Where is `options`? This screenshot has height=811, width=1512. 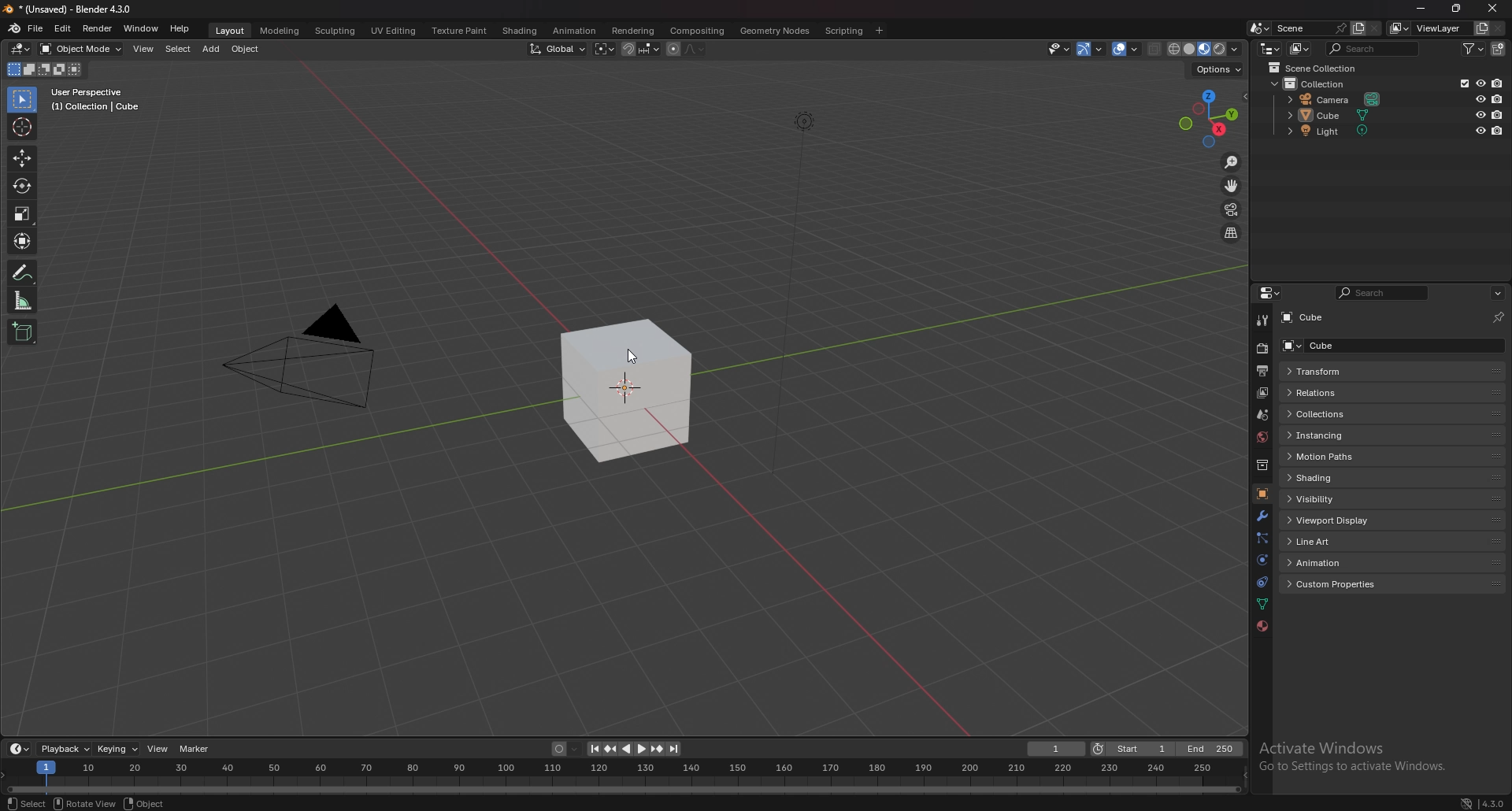
options is located at coordinates (1221, 71).